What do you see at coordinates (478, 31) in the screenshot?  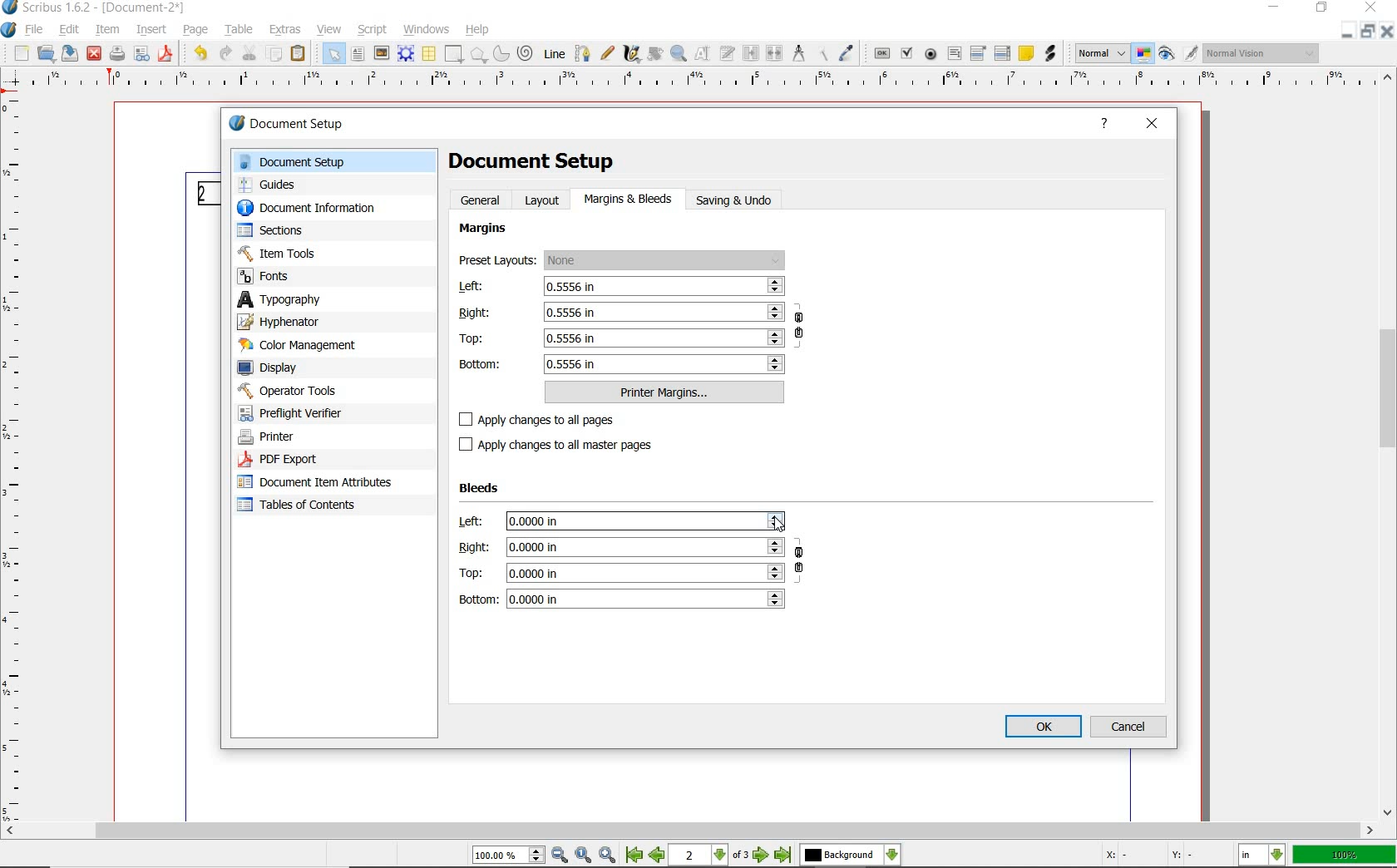 I see `help` at bounding box center [478, 31].